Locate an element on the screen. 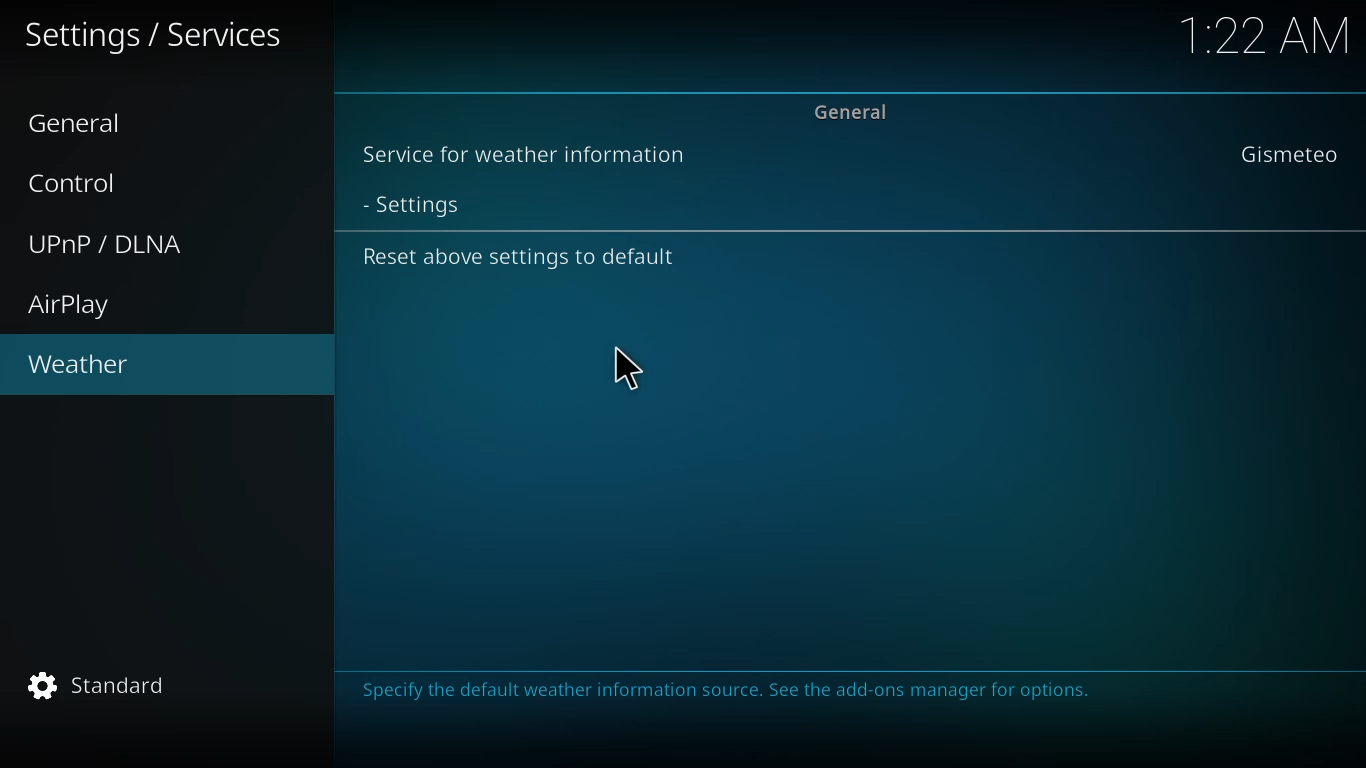  standard is located at coordinates (105, 686).